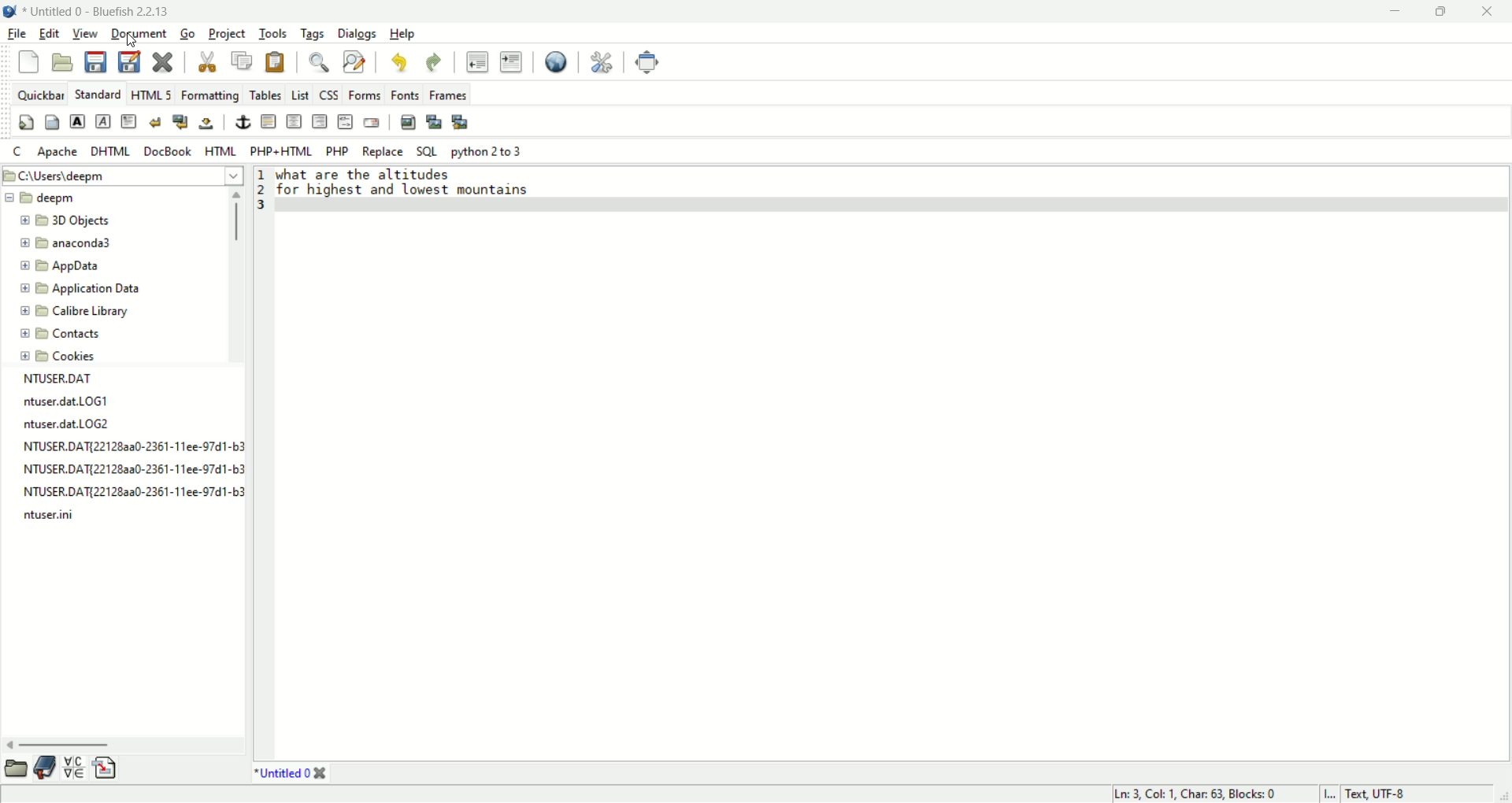 This screenshot has width=1512, height=803. I want to click on file name, so click(132, 449).